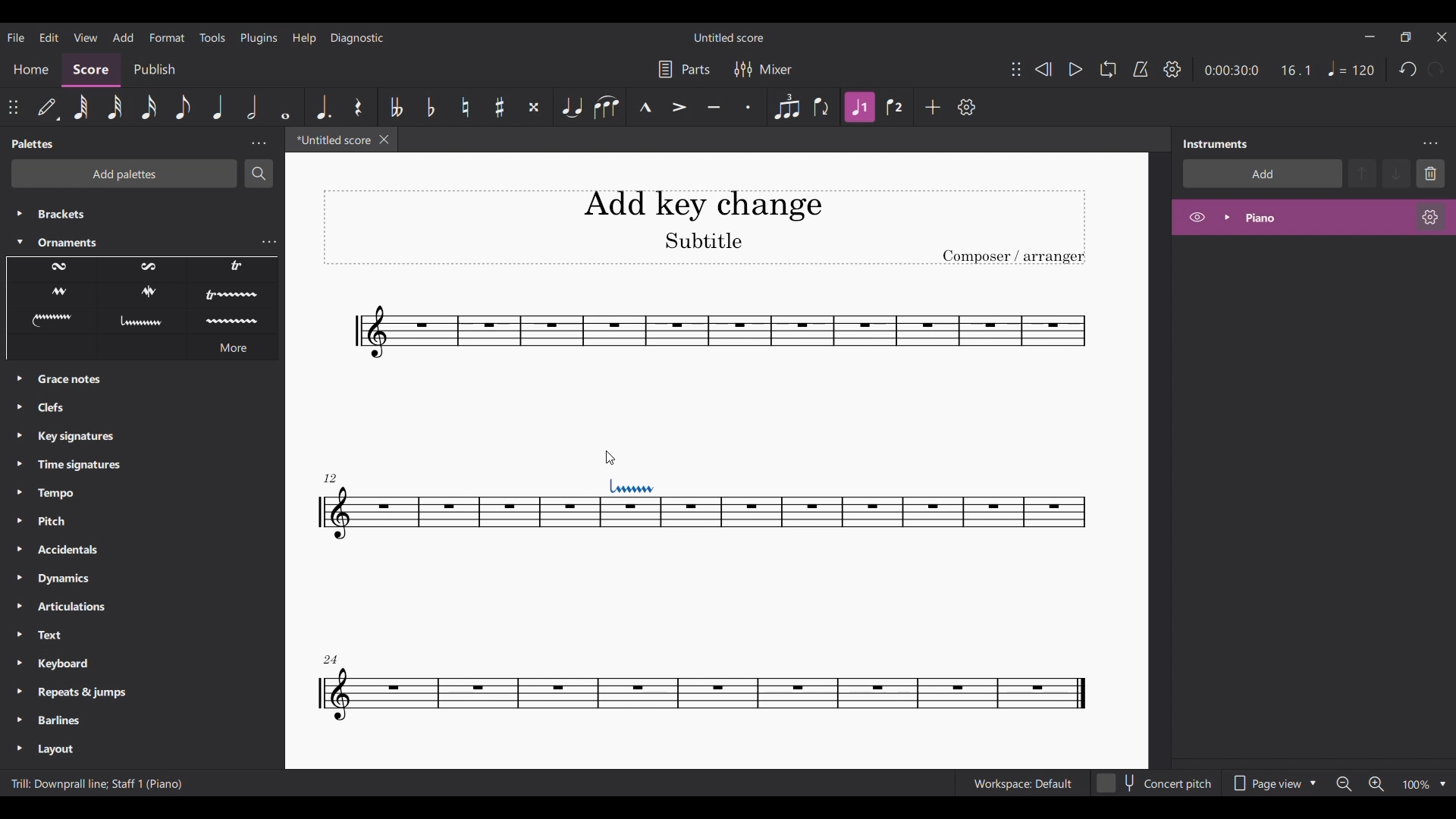  What do you see at coordinates (1442, 38) in the screenshot?
I see `Close interface` at bounding box center [1442, 38].